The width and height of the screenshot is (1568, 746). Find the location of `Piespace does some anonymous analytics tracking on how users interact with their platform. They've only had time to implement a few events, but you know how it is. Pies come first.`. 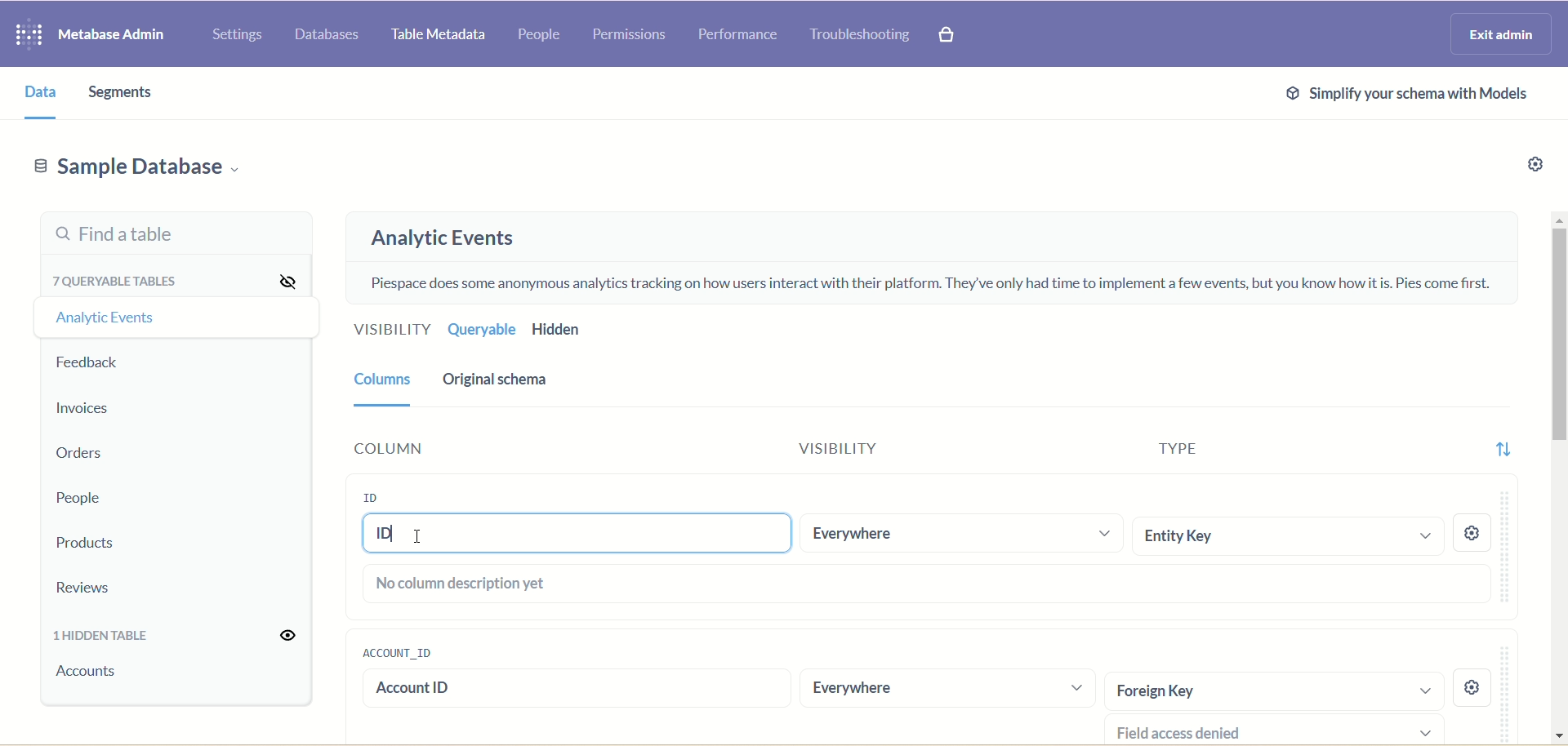

Piespace does some anonymous analytics tracking on how users interact with their platform. They've only had time to implement a few events, but you know how it is. Pies come first. is located at coordinates (932, 285).